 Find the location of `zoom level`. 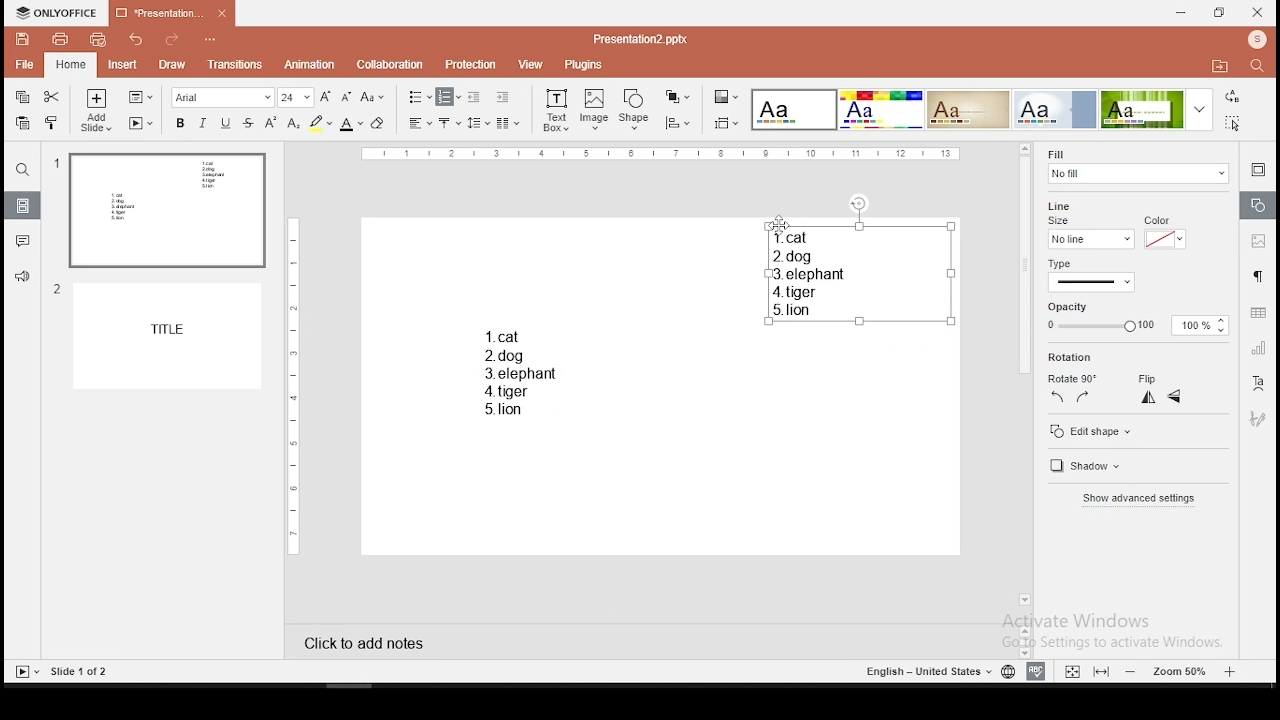

zoom level is located at coordinates (1178, 672).